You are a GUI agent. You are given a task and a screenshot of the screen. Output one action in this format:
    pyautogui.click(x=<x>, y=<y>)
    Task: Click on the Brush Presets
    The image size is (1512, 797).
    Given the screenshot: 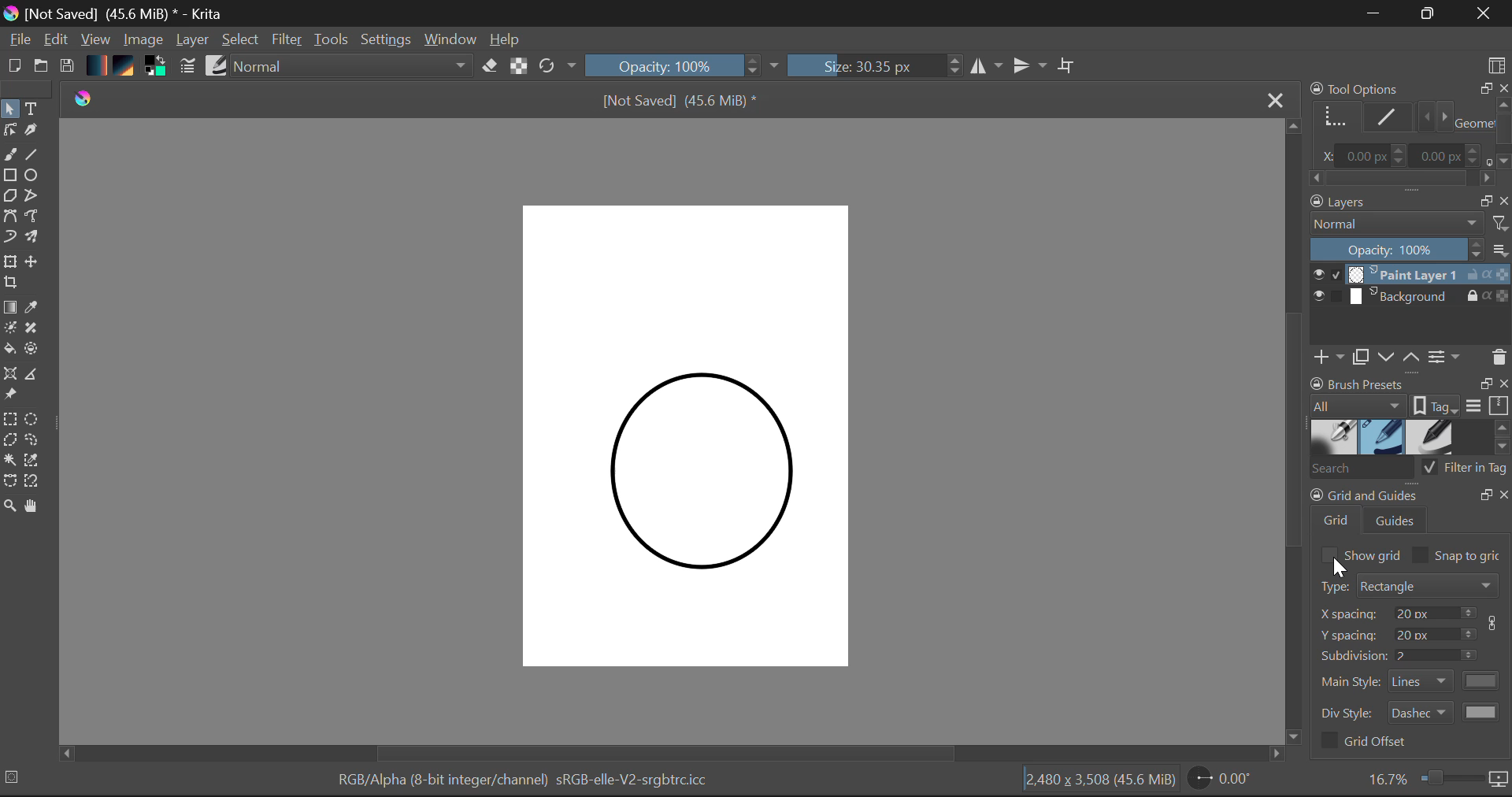 What is the action you would take?
    pyautogui.click(x=217, y=67)
    